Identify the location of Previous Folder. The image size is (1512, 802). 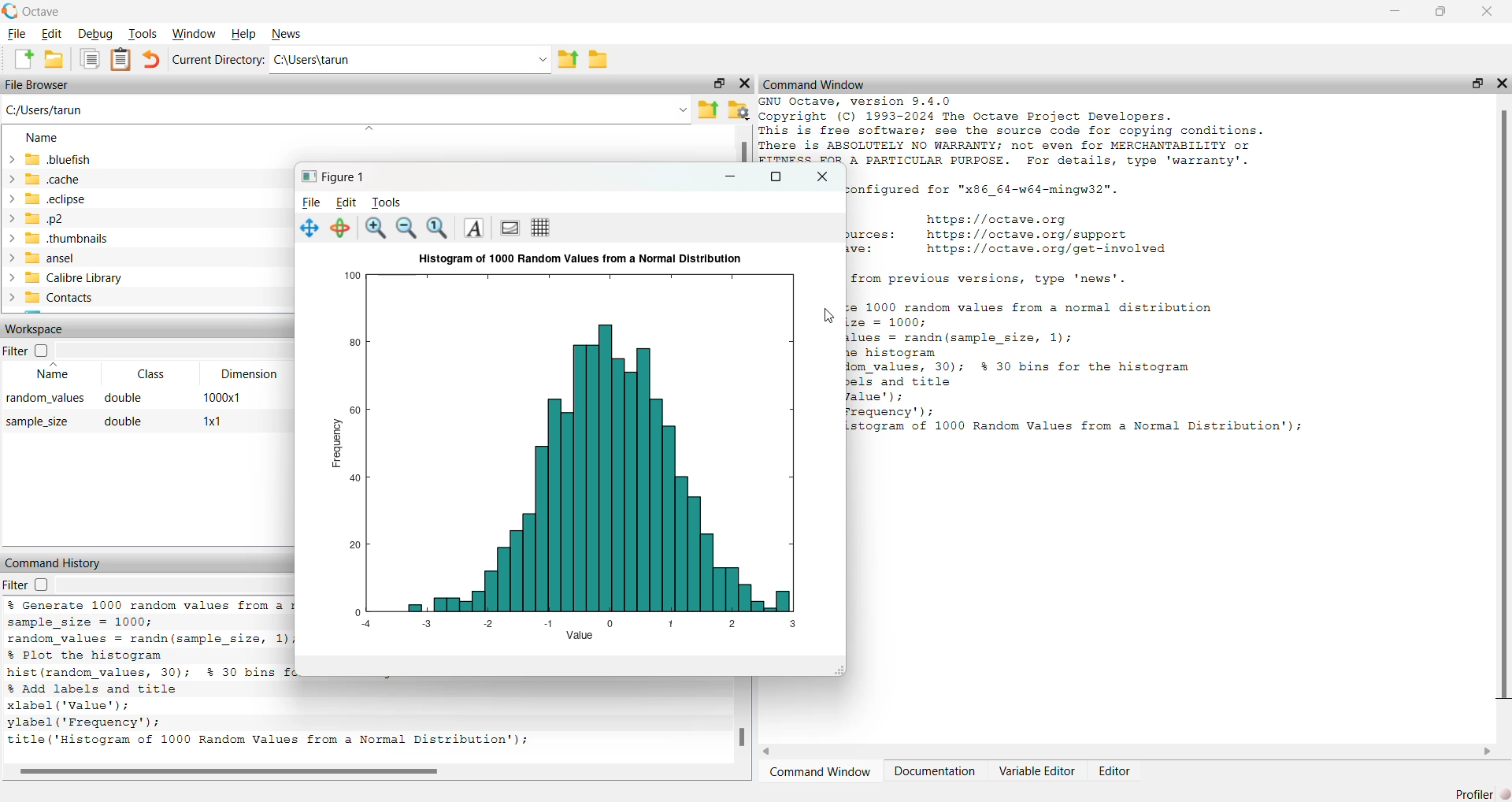
(569, 61).